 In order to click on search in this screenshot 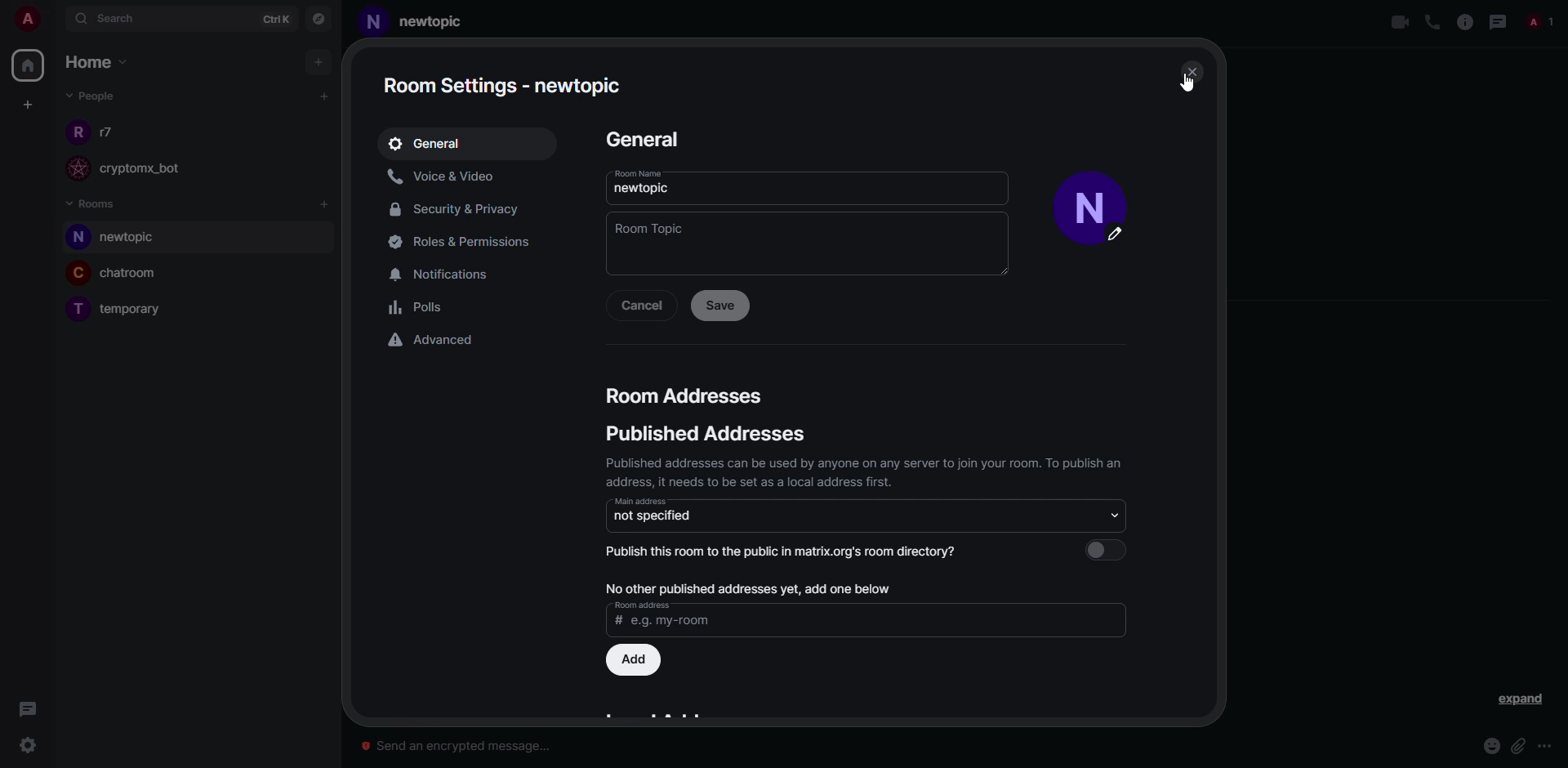, I will do `click(114, 20)`.